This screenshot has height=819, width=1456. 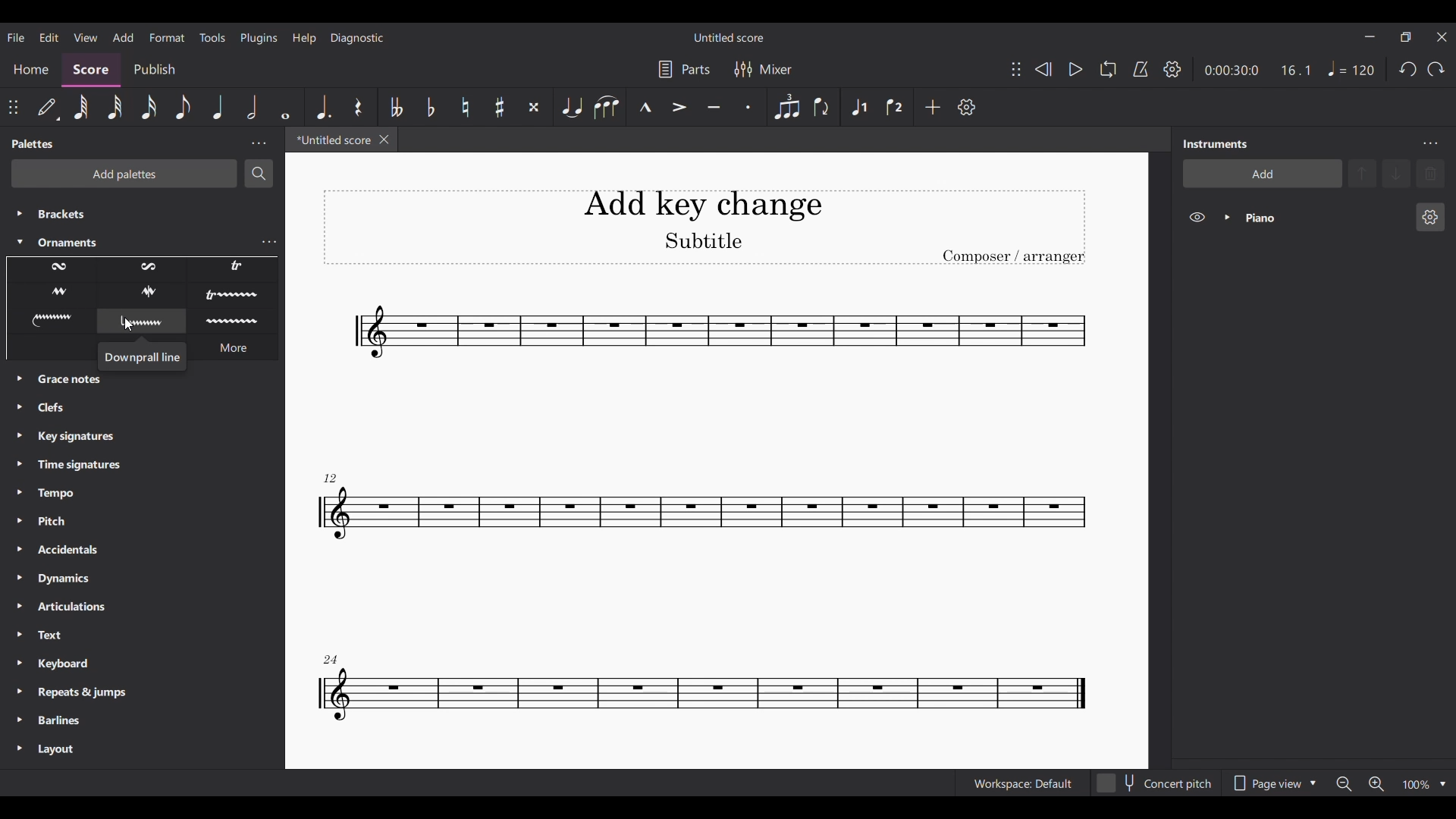 What do you see at coordinates (1273, 783) in the screenshot?
I see `Page view options` at bounding box center [1273, 783].